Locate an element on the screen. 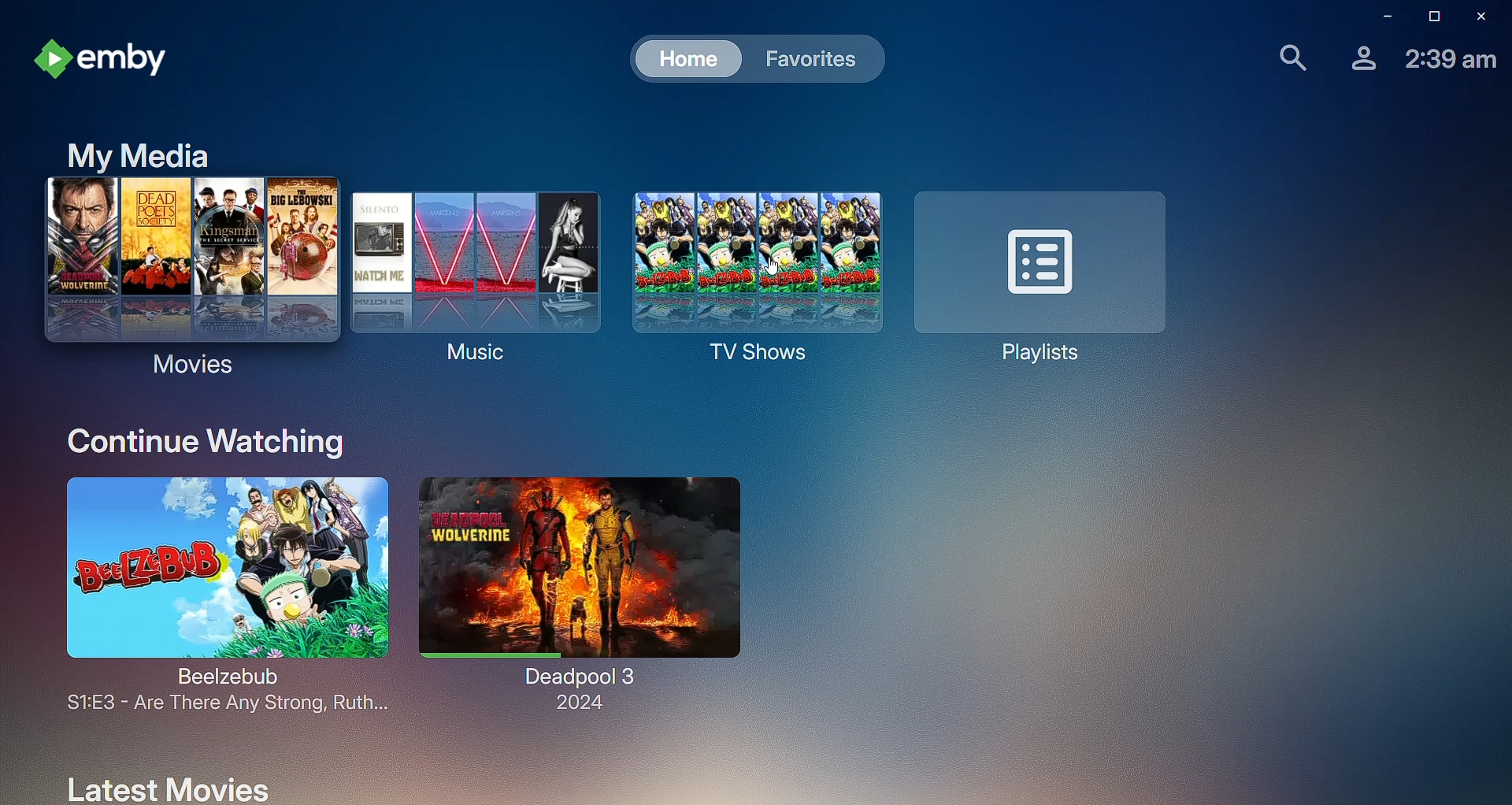  Playlists is located at coordinates (1043, 276).